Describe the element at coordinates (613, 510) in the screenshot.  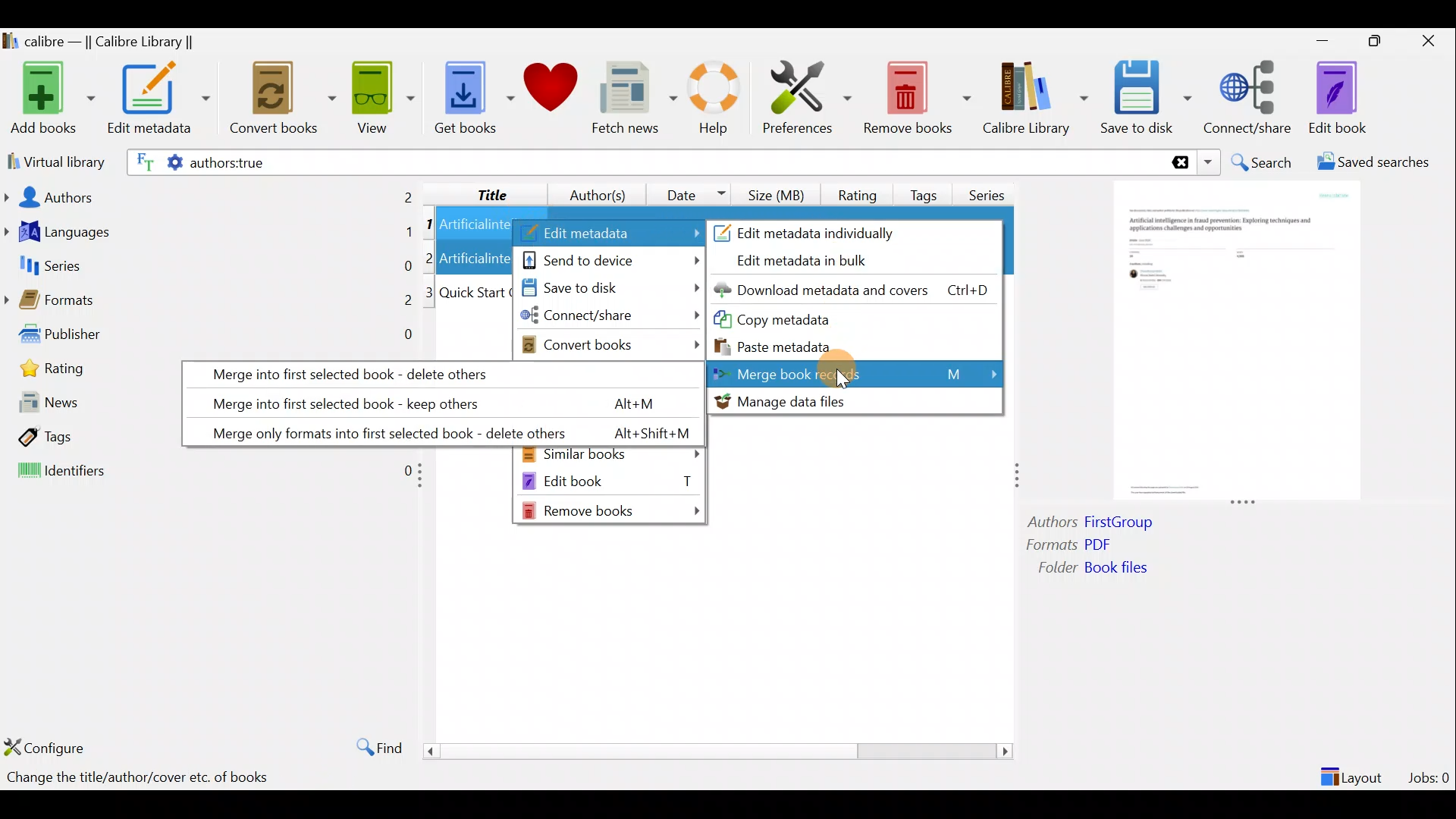
I see `Remove books` at that location.